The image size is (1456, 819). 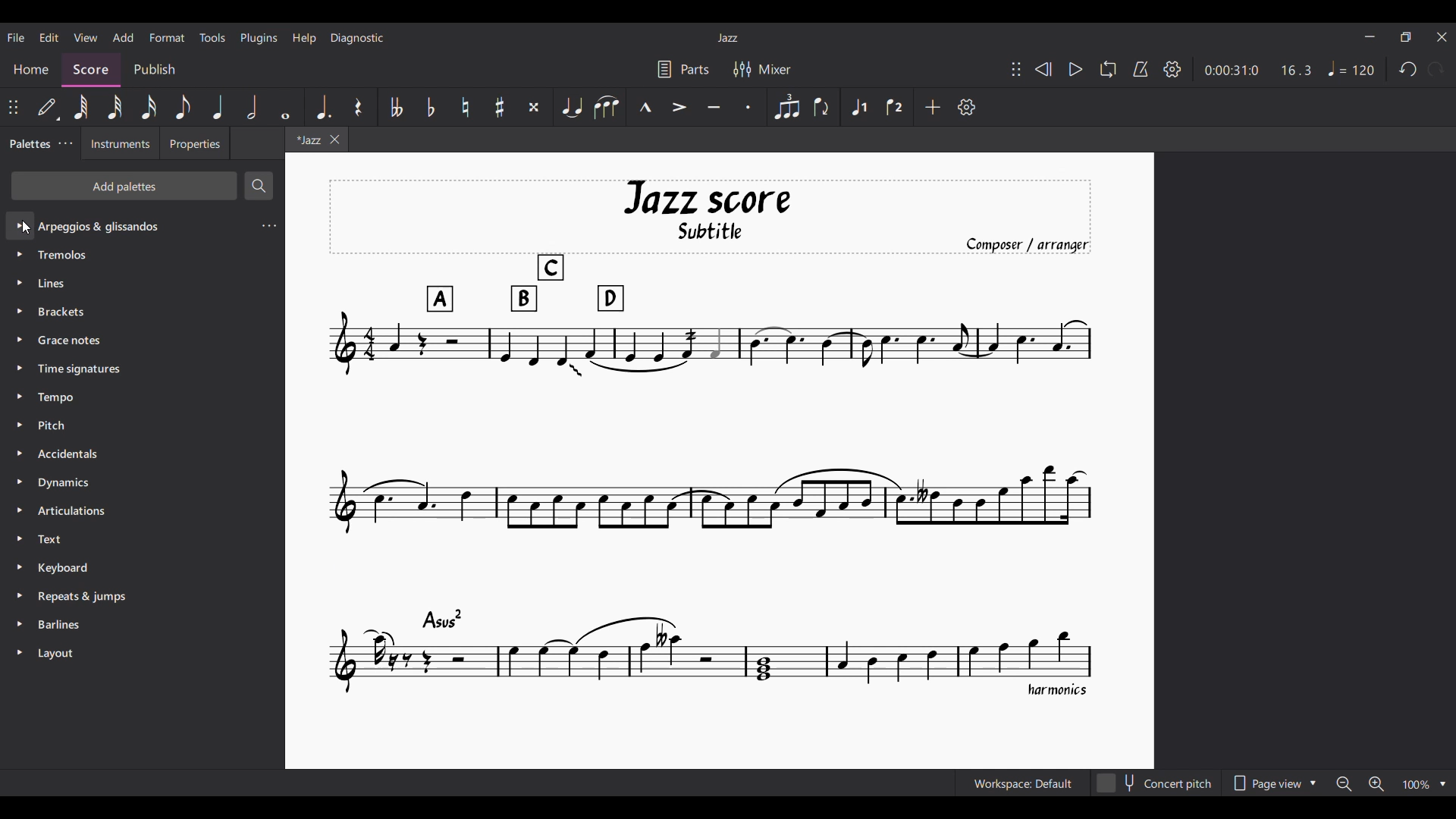 What do you see at coordinates (218, 107) in the screenshot?
I see `Quarter note` at bounding box center [218, 107].